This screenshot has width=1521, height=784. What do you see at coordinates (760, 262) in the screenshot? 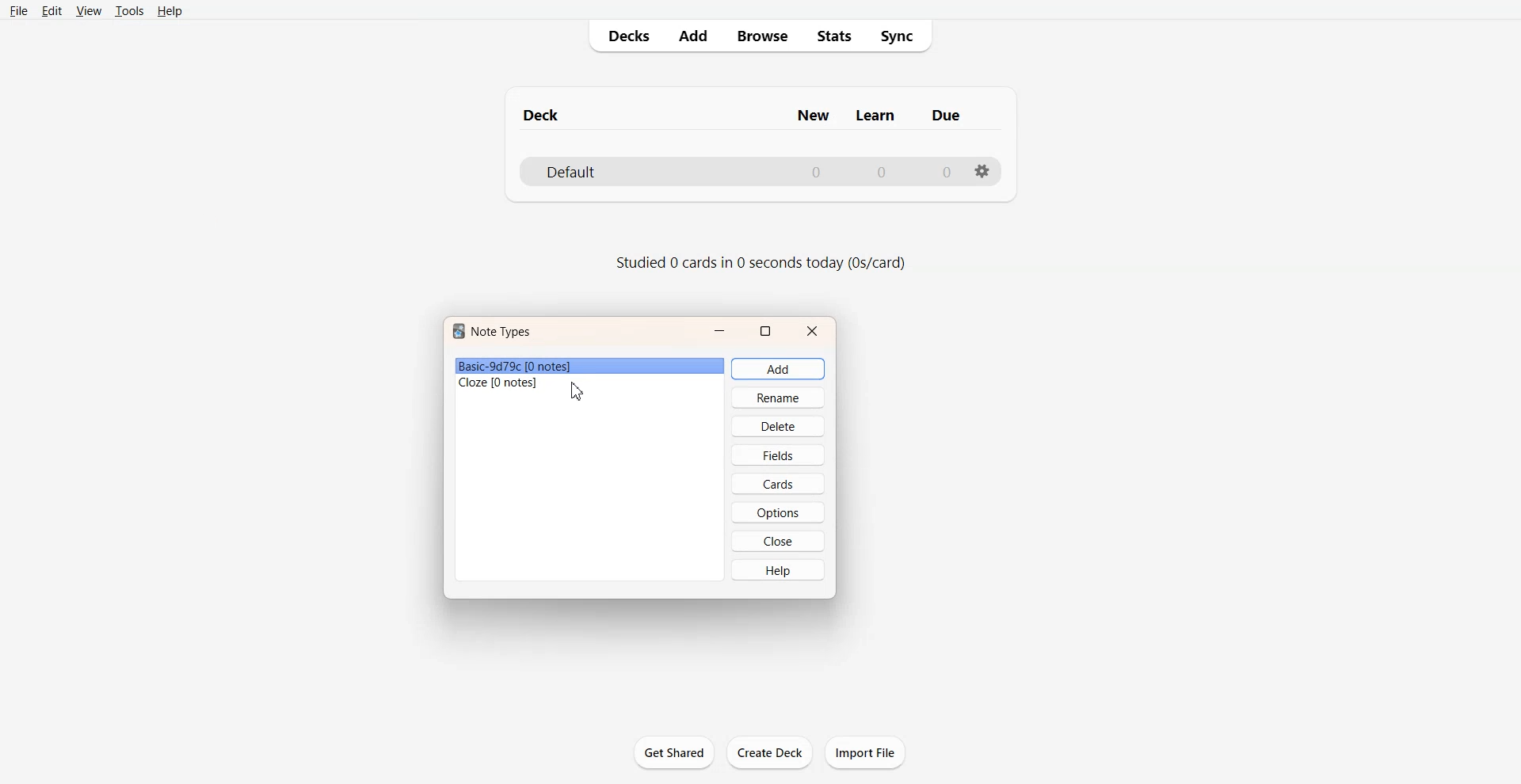
I see `Text 2` at bounding box center [760, 262].